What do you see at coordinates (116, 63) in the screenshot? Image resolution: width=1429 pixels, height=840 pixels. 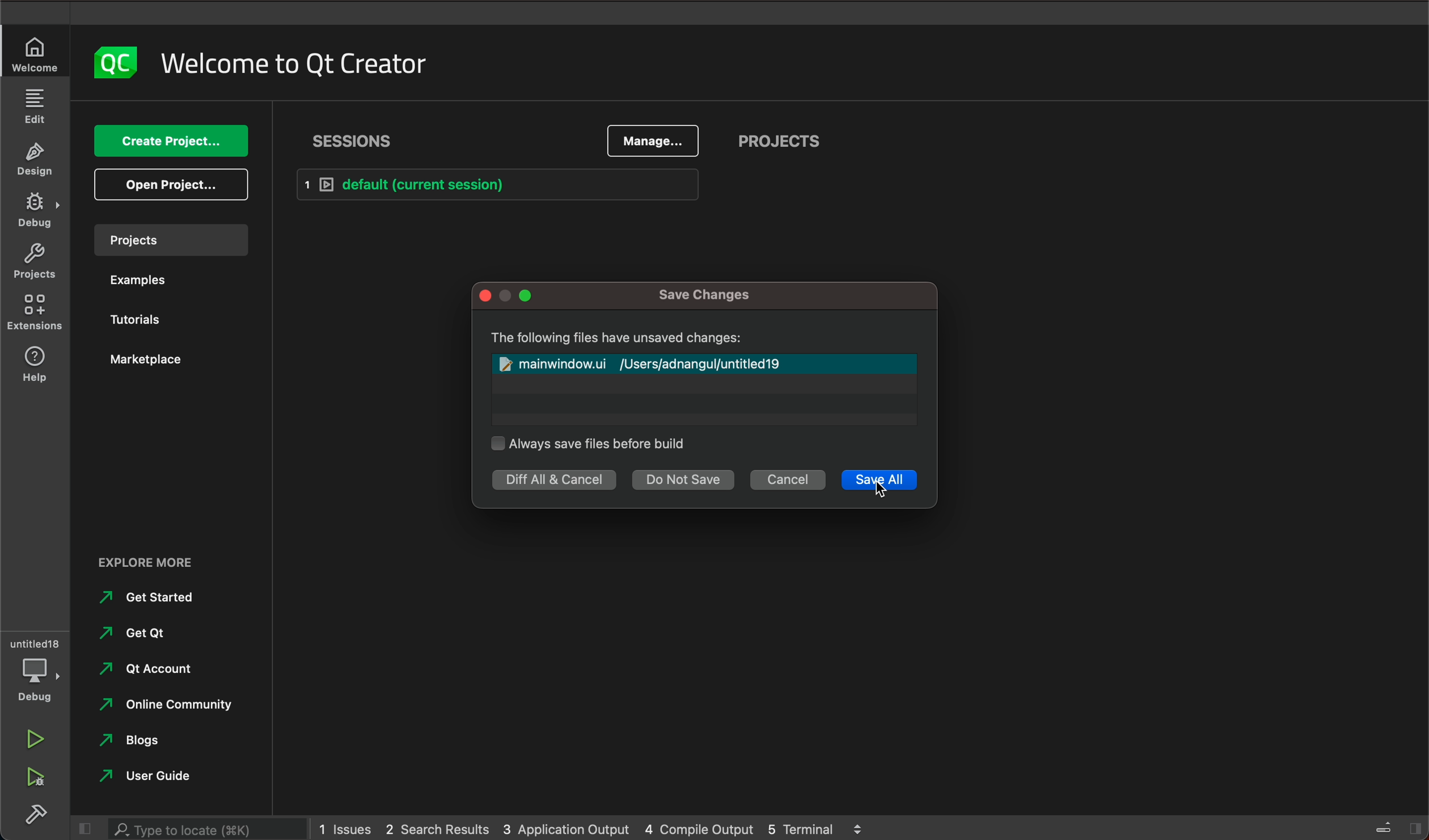 I see `logo` at bounding box center [116, 63].